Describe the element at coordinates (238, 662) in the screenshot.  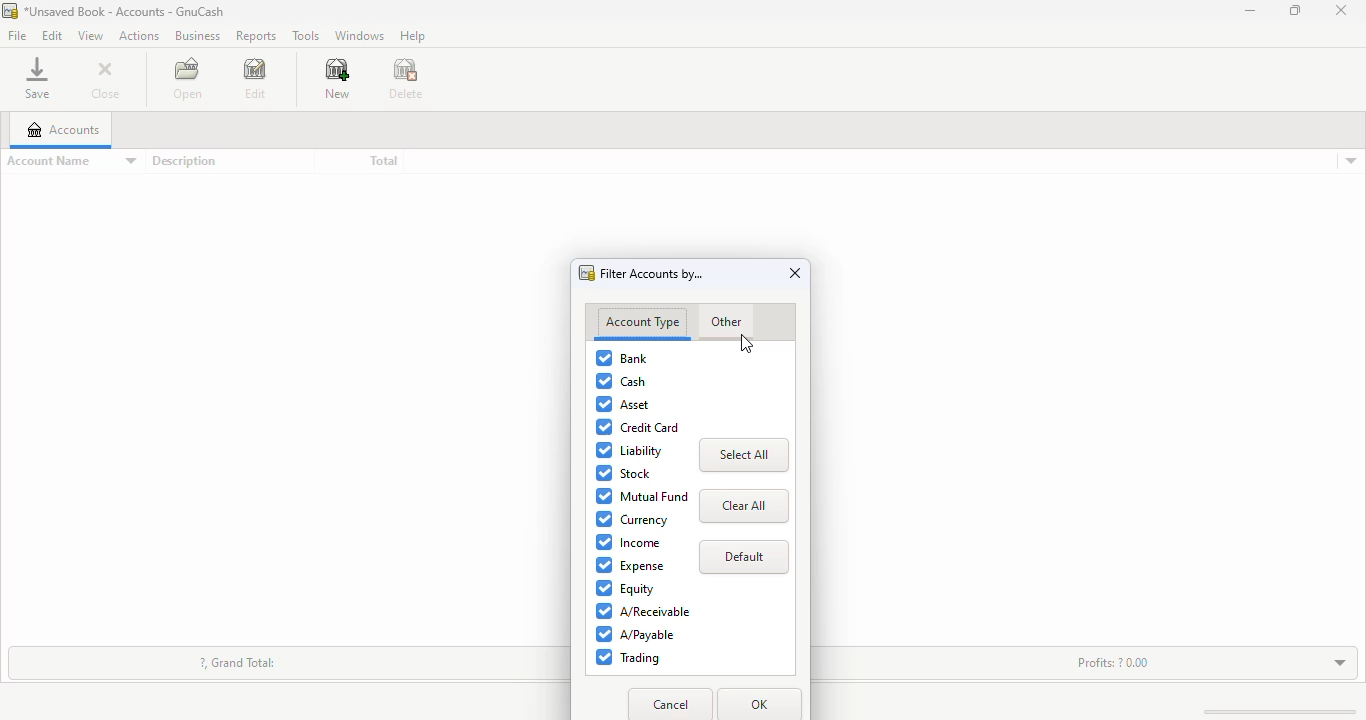
I see `?, grand total:` at that location.